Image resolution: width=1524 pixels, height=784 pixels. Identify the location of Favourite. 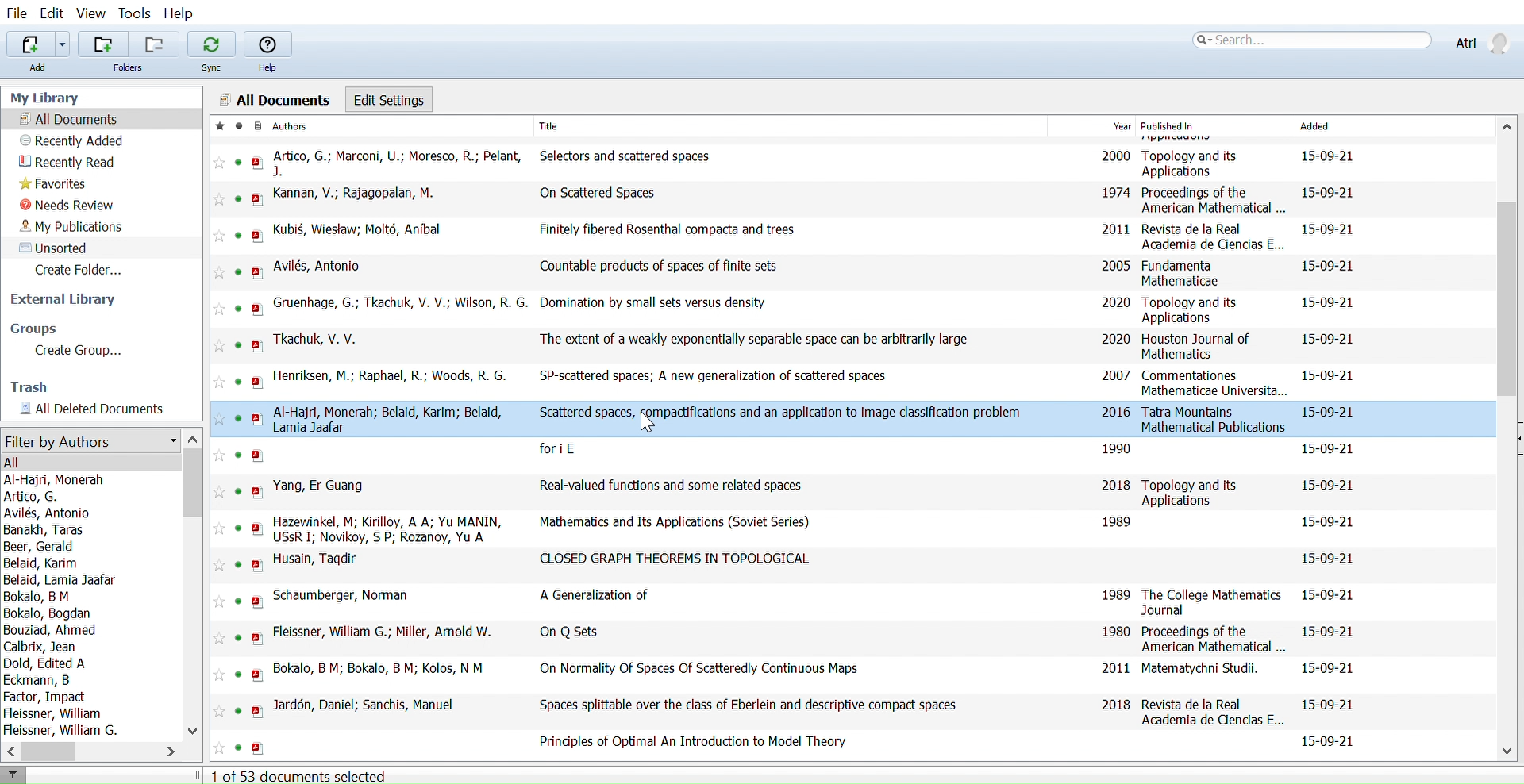
(216, 382).